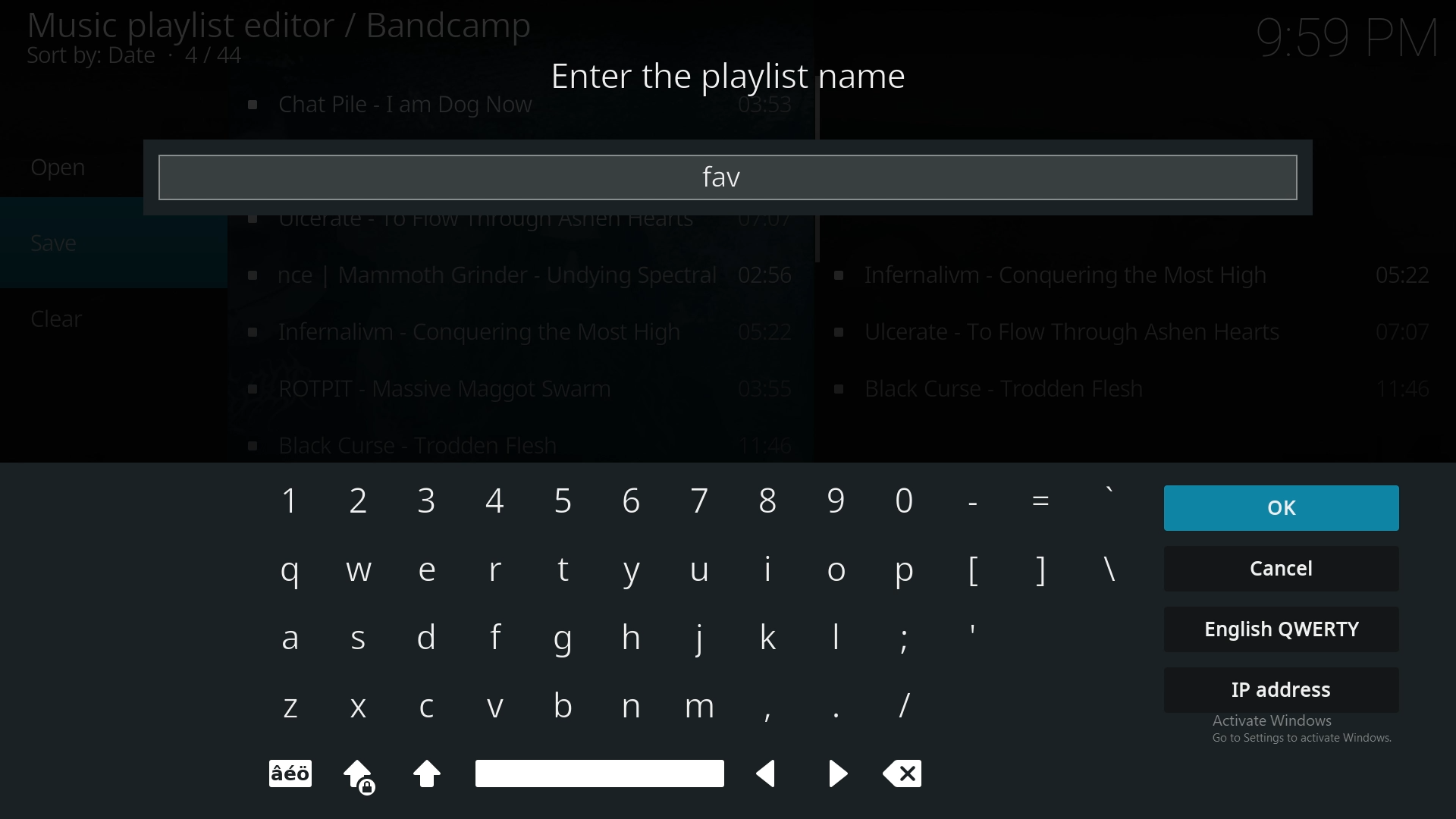 The width and height of the screenshot is (1456, 819). Describe the element at coordinates (1276, 506) in the screenshot. I see `ok` at that location.